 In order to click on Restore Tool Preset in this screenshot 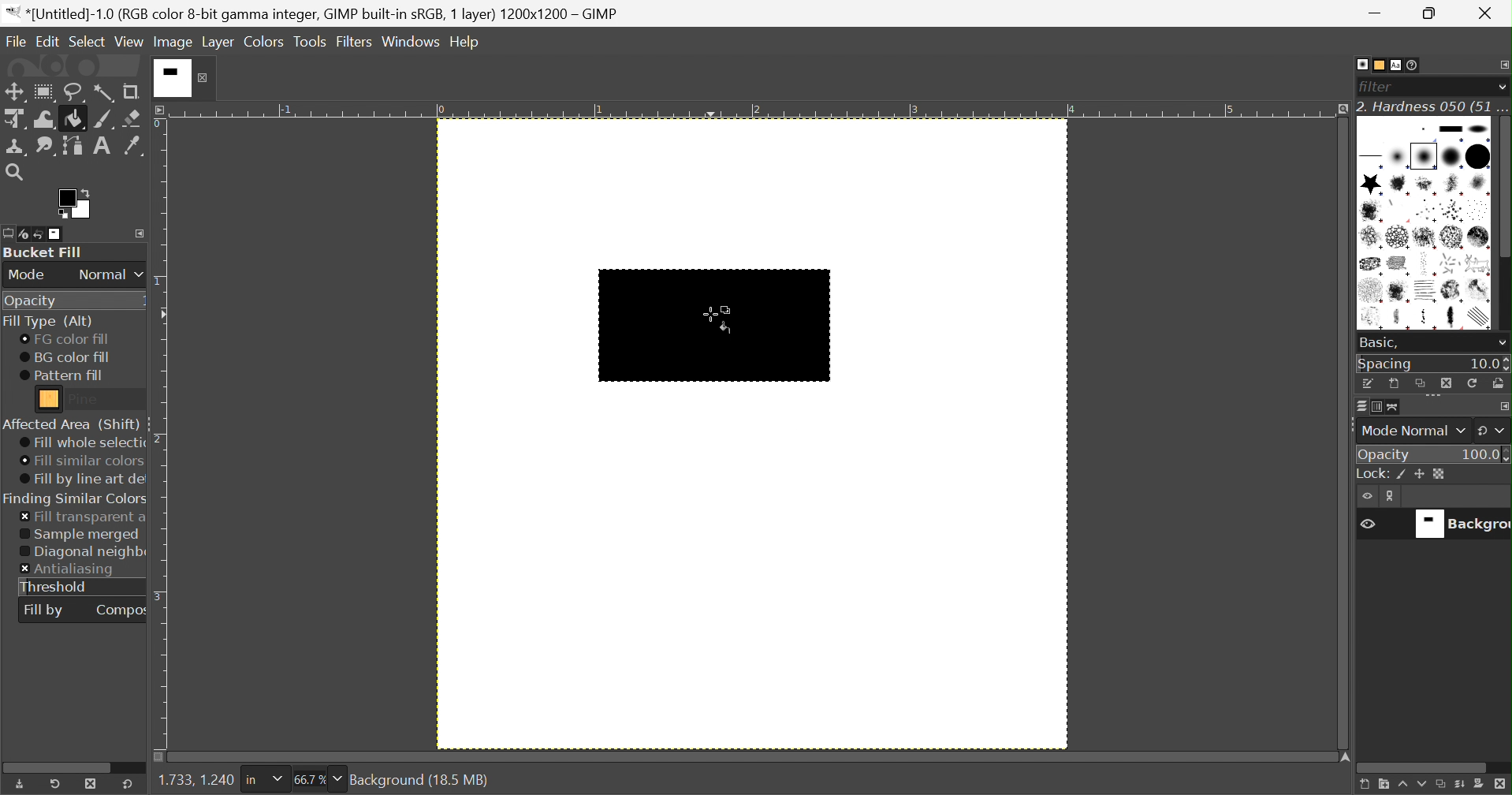, I will do `click(54, 784)`.